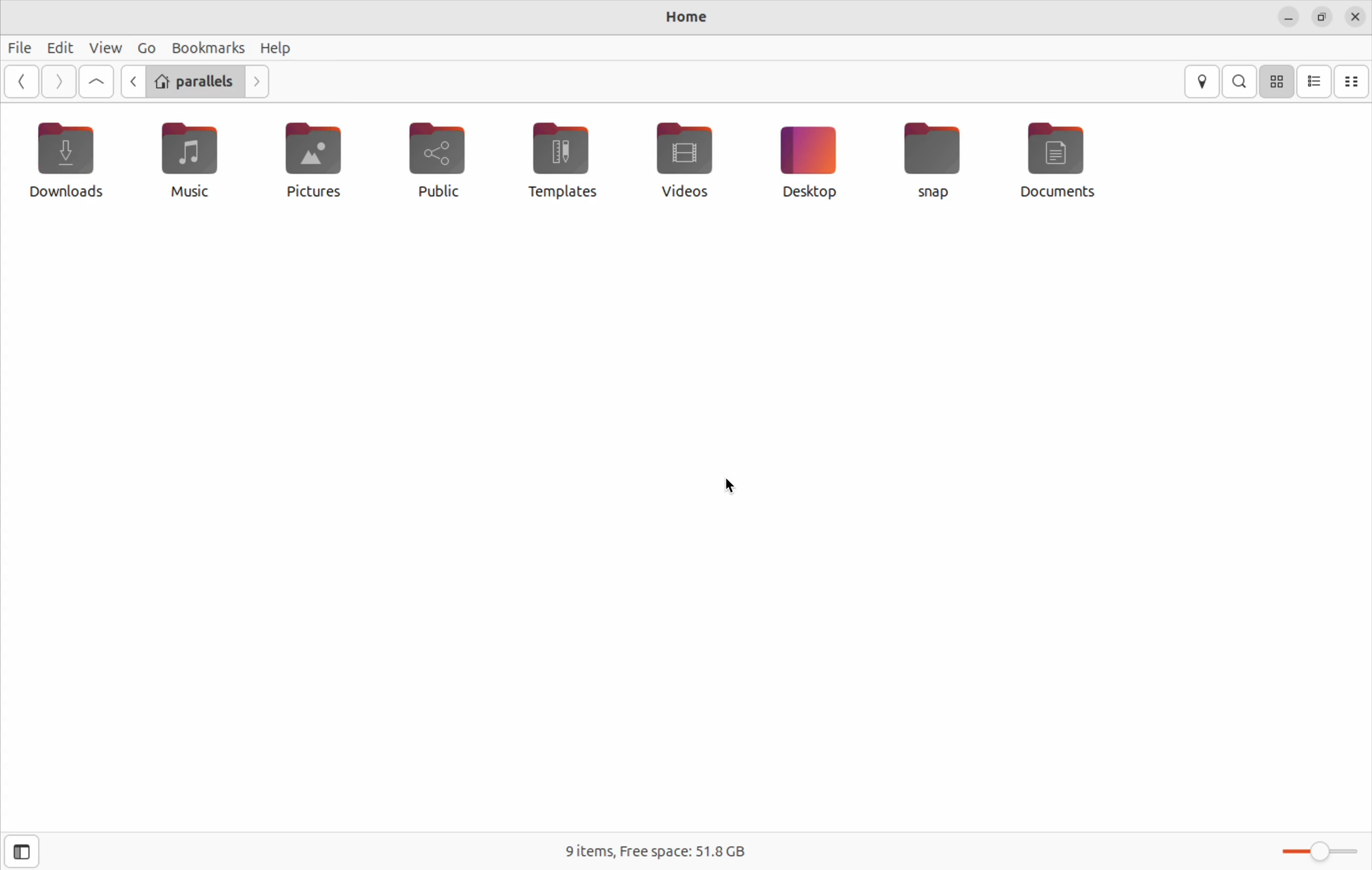  What do you see at coordinates (1354, 81) in the screenshot?
I see `compact view` at bounding box center [1354, 81].